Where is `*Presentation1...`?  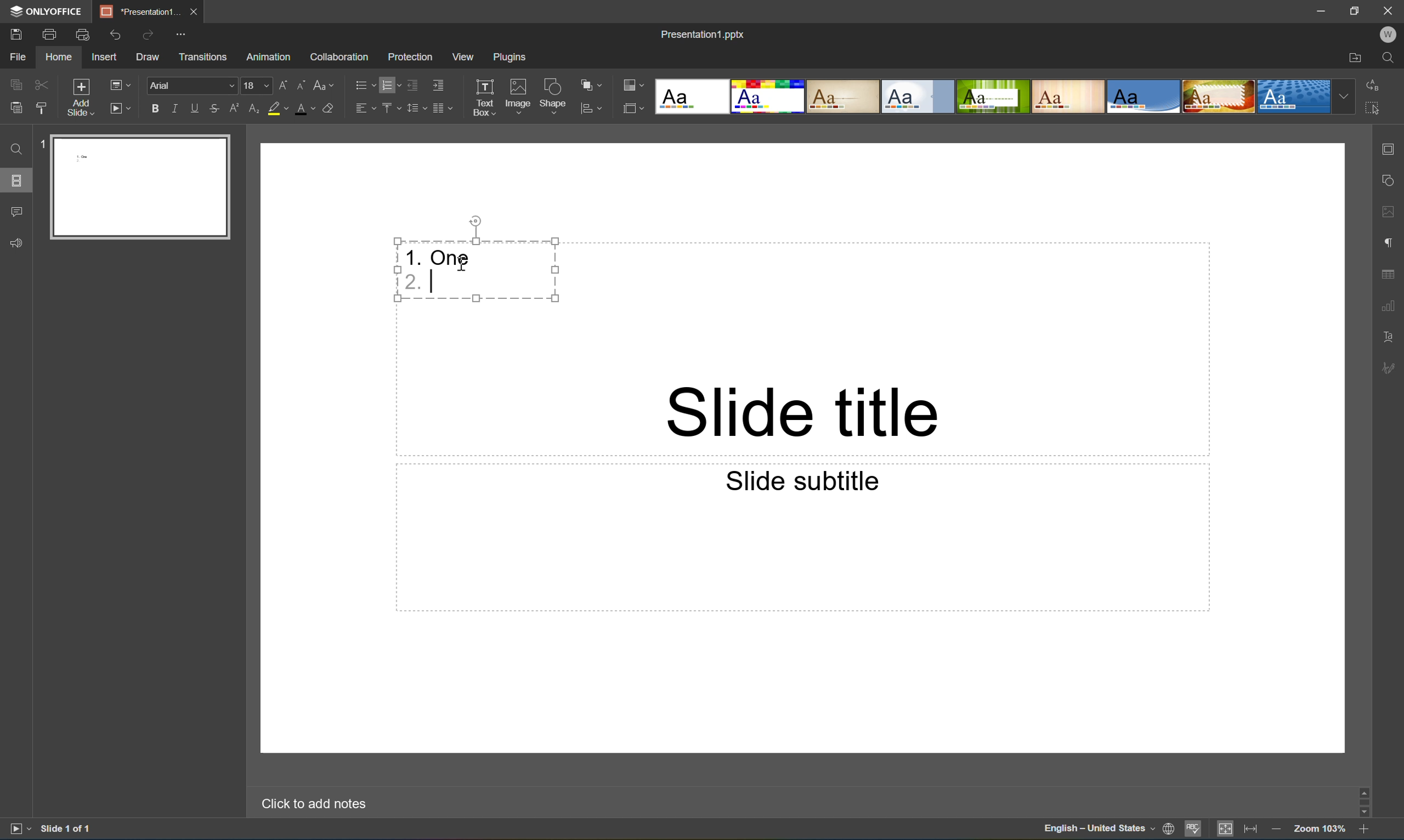
*Presentation1... is located at coordinates (142, 12).